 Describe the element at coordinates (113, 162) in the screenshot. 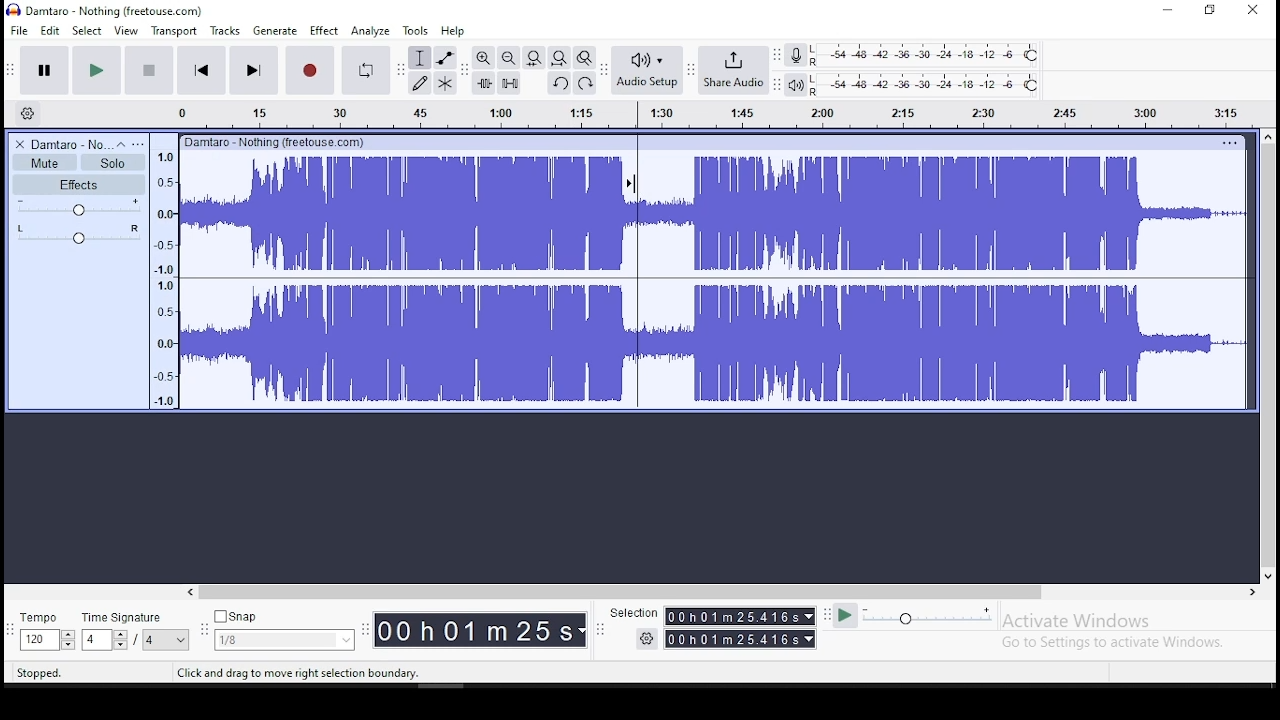

I see `solo` at that location.